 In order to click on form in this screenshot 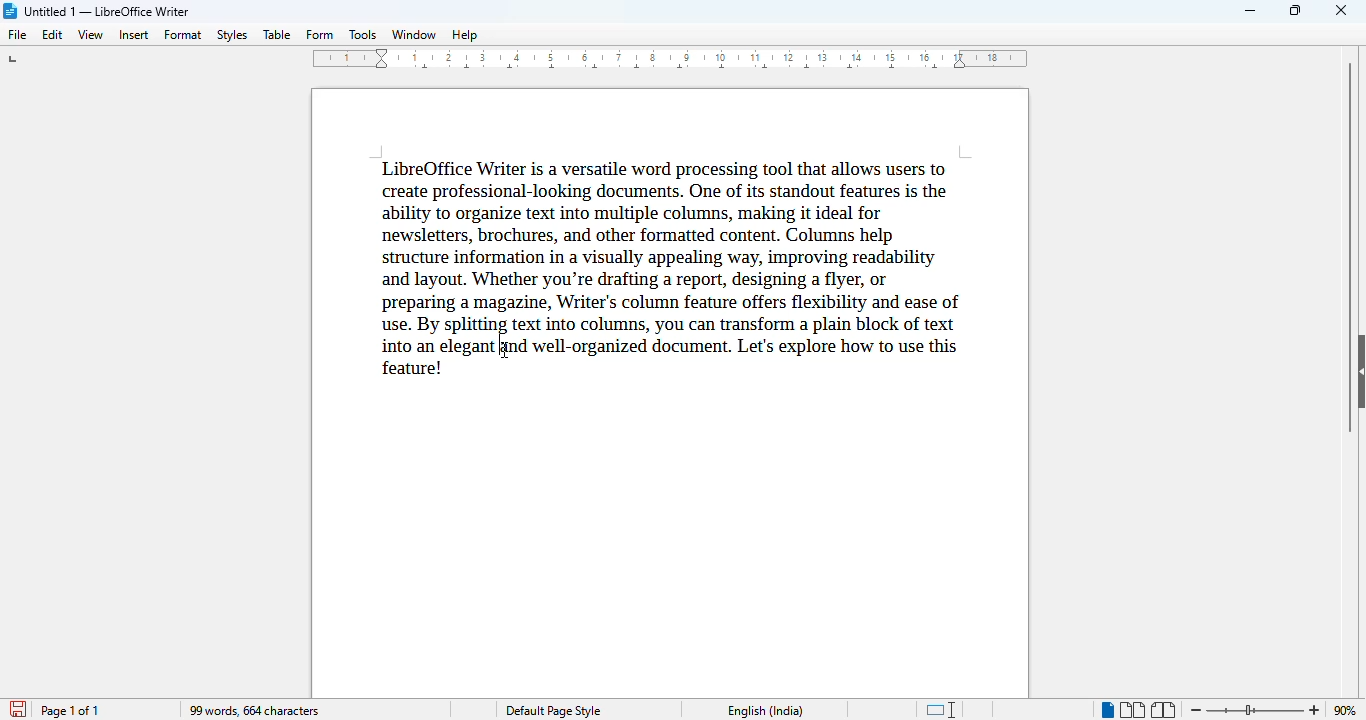, I will do `click(320, 35)`.